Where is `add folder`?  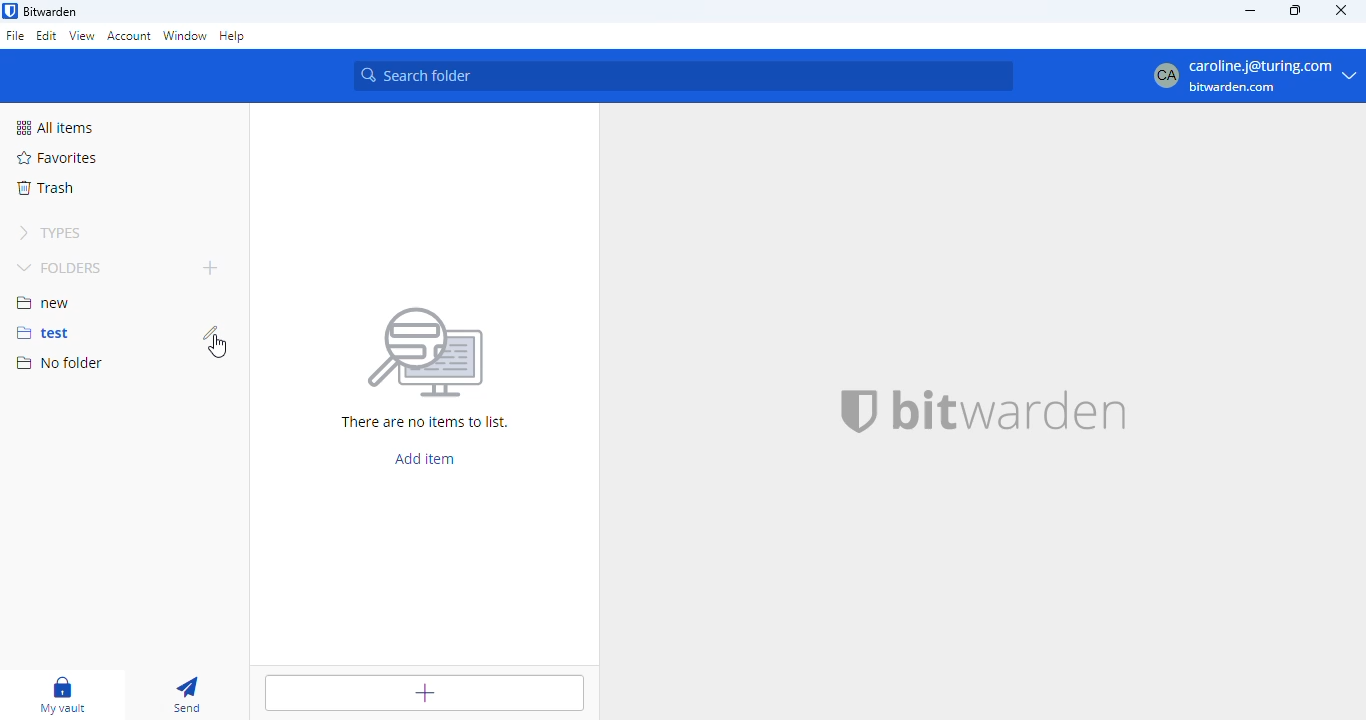 add folder is located at coordinates (210, 268).